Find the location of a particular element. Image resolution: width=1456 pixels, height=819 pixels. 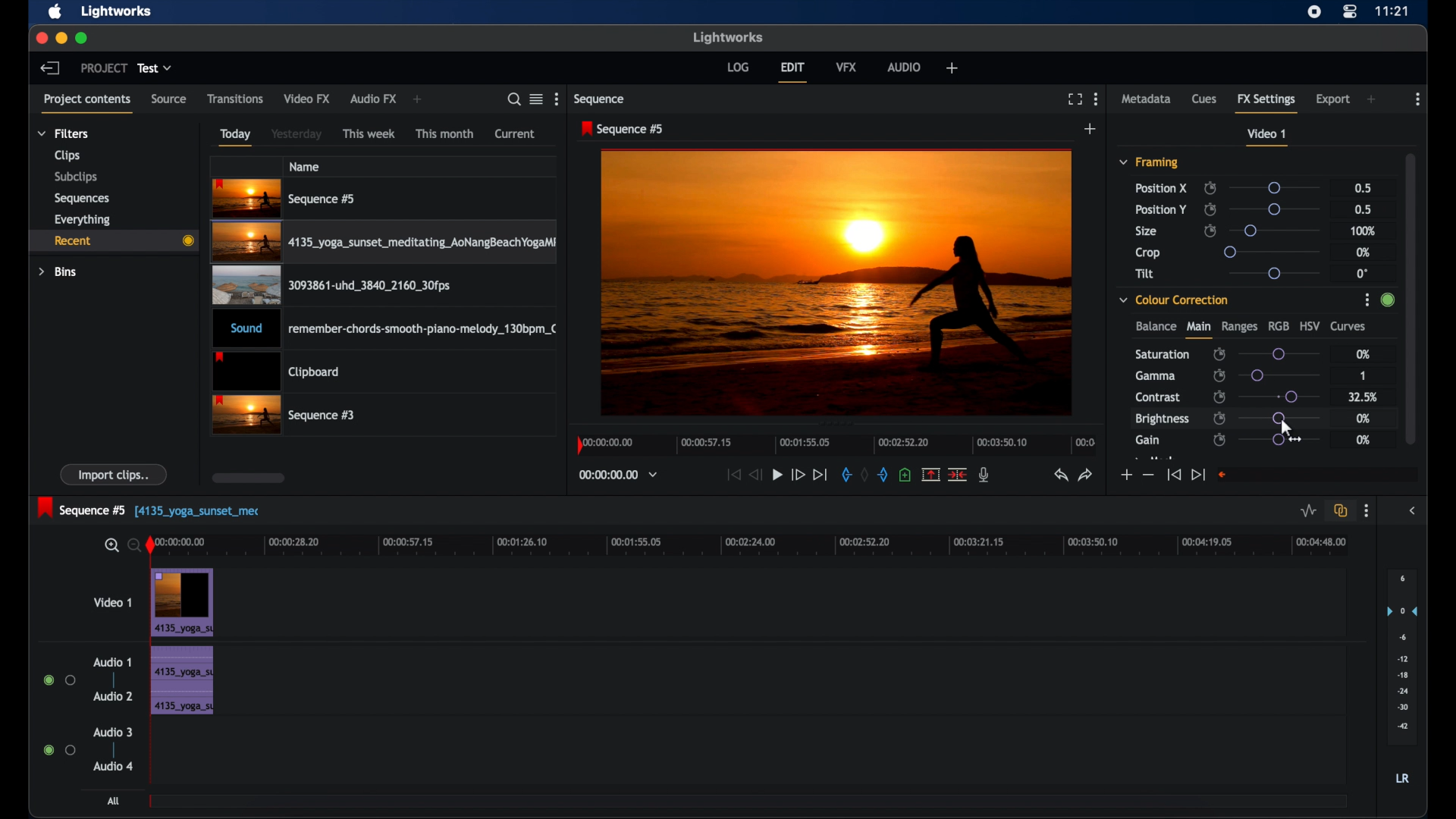

search is located at coordinates (510, 99).